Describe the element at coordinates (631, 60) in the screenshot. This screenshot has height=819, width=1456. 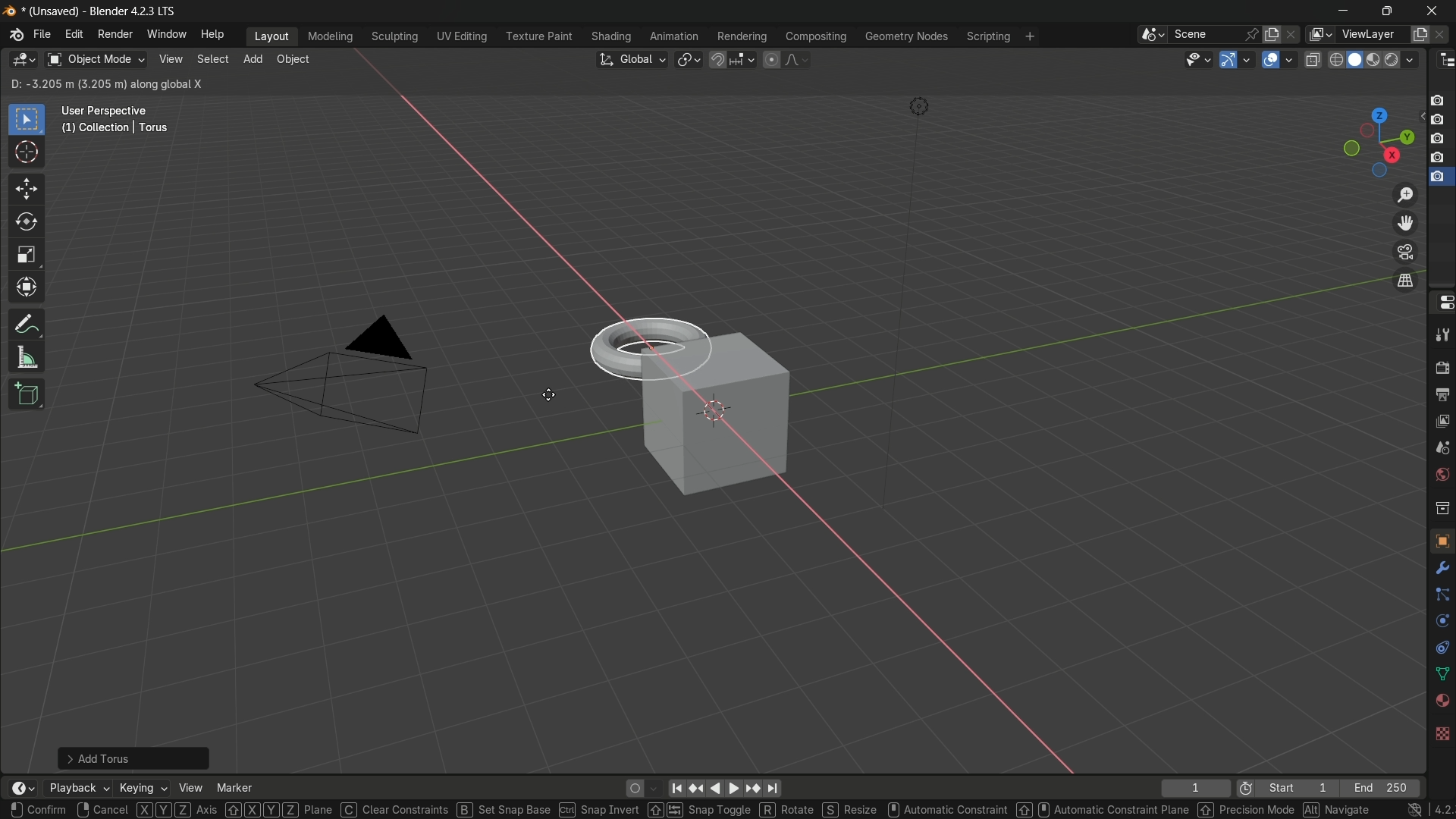
I see `transformation orientation` at that location.